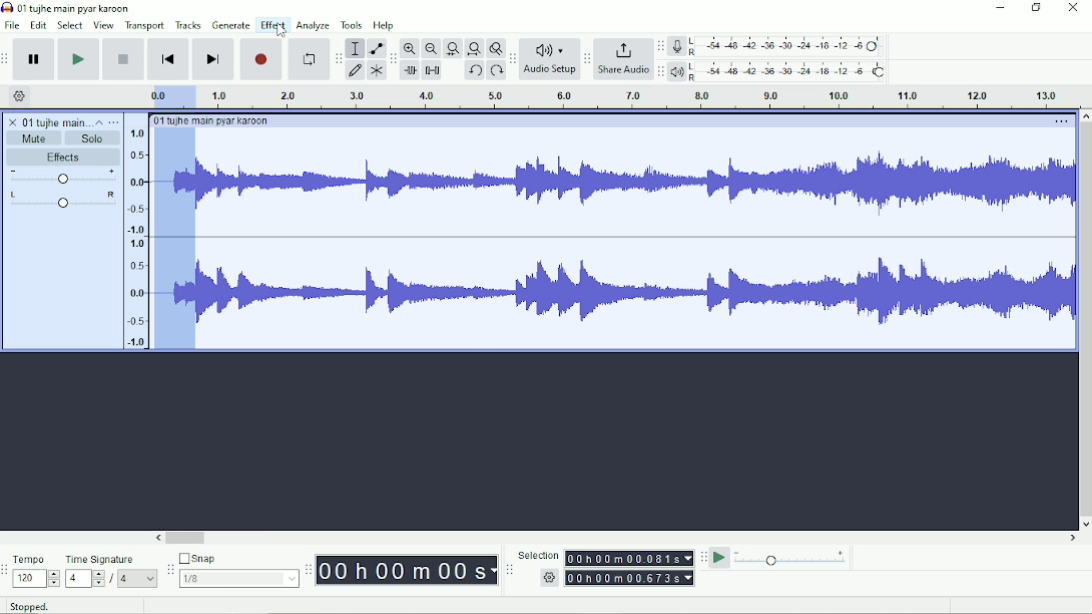 The height and width of the screenshot is (614, 1092). I want to click on Selection tool, so click(355, 47).